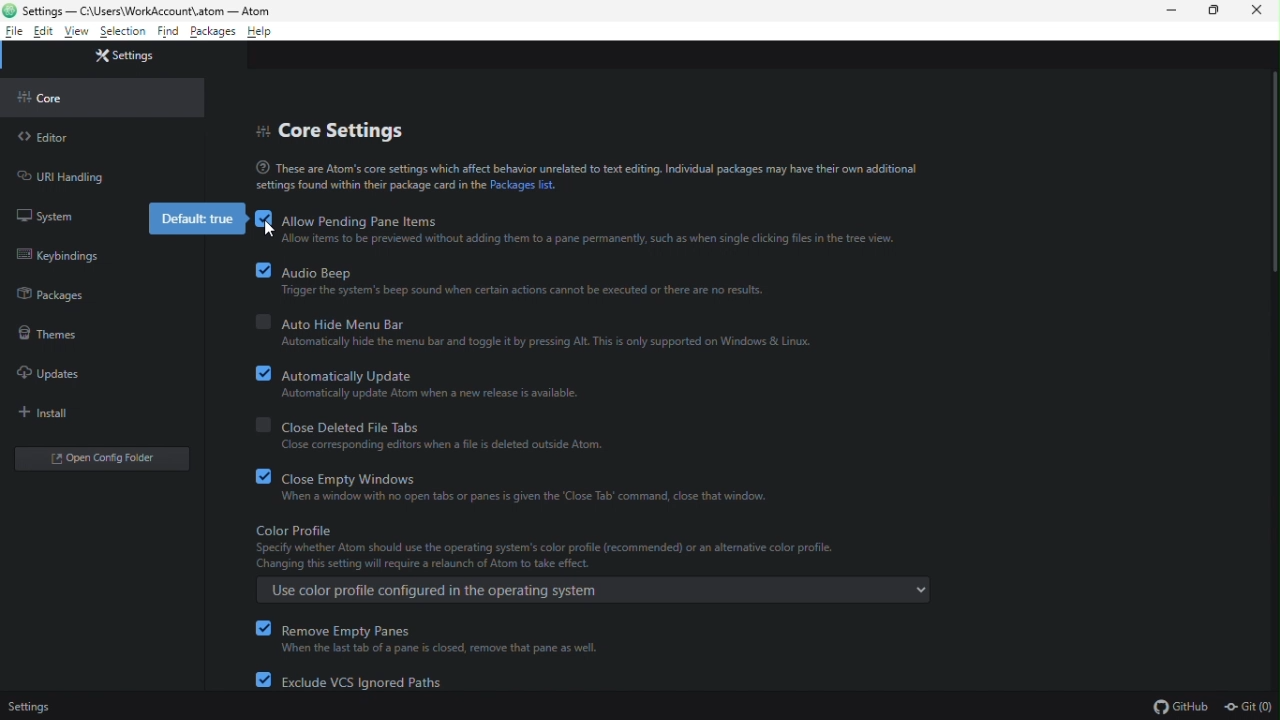 This screenshot has width=1280, height=720. What do you see at coordinates (124, 31) in the screenshot?
I see `selection` at bounding box center [124, 31].